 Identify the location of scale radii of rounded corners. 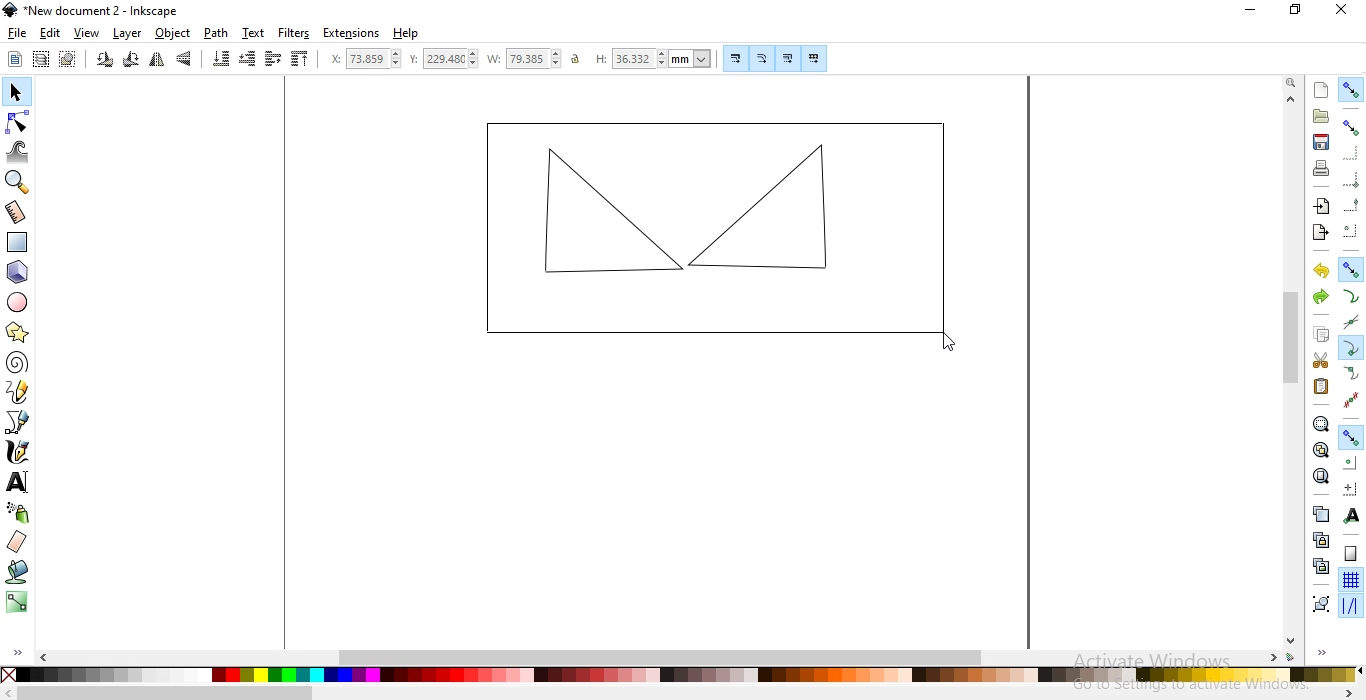
(762, 58).